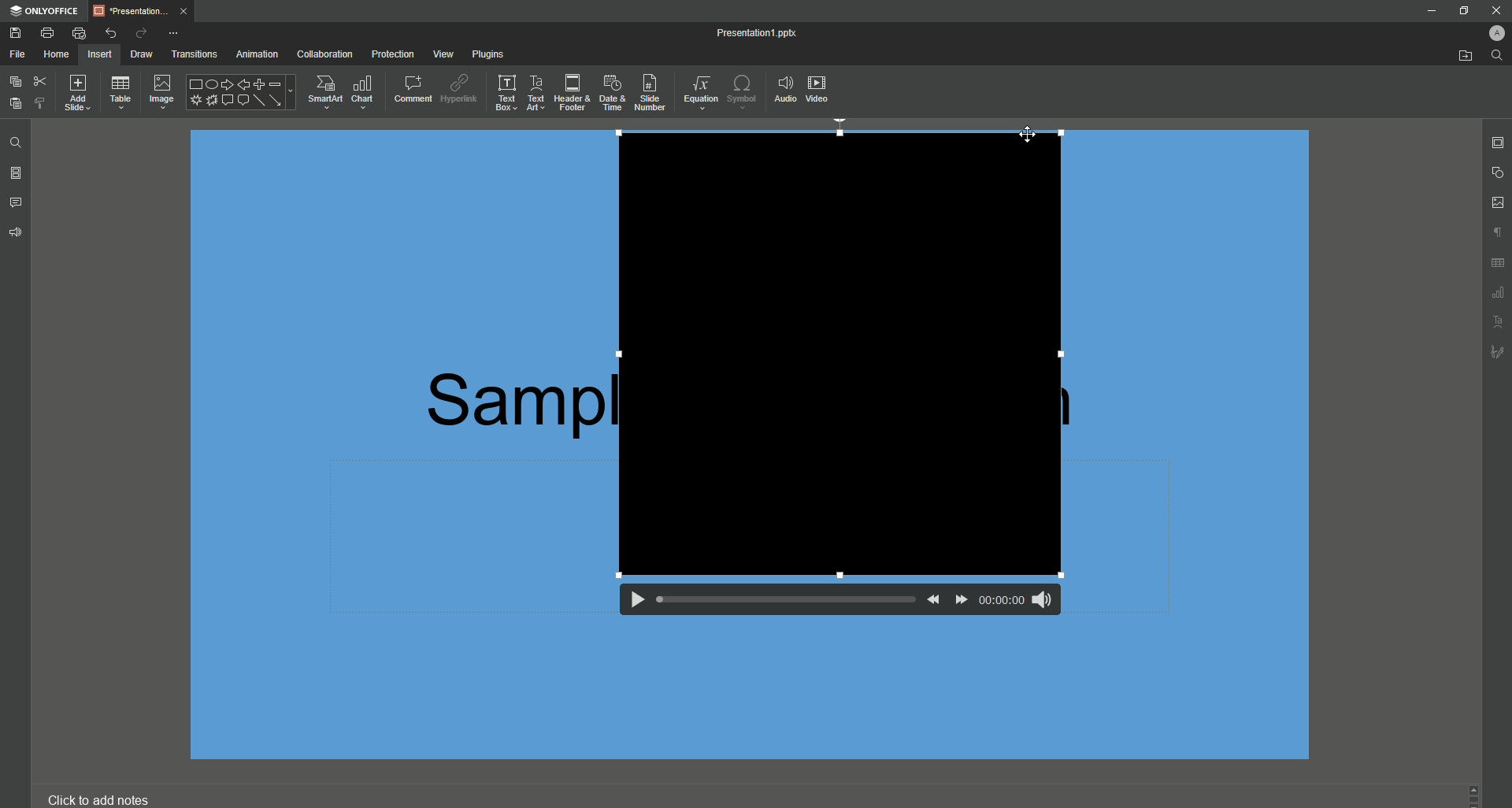  Describe the element at coordinates (614, 94) in the screenshot. I see `Date and Time` at that location.